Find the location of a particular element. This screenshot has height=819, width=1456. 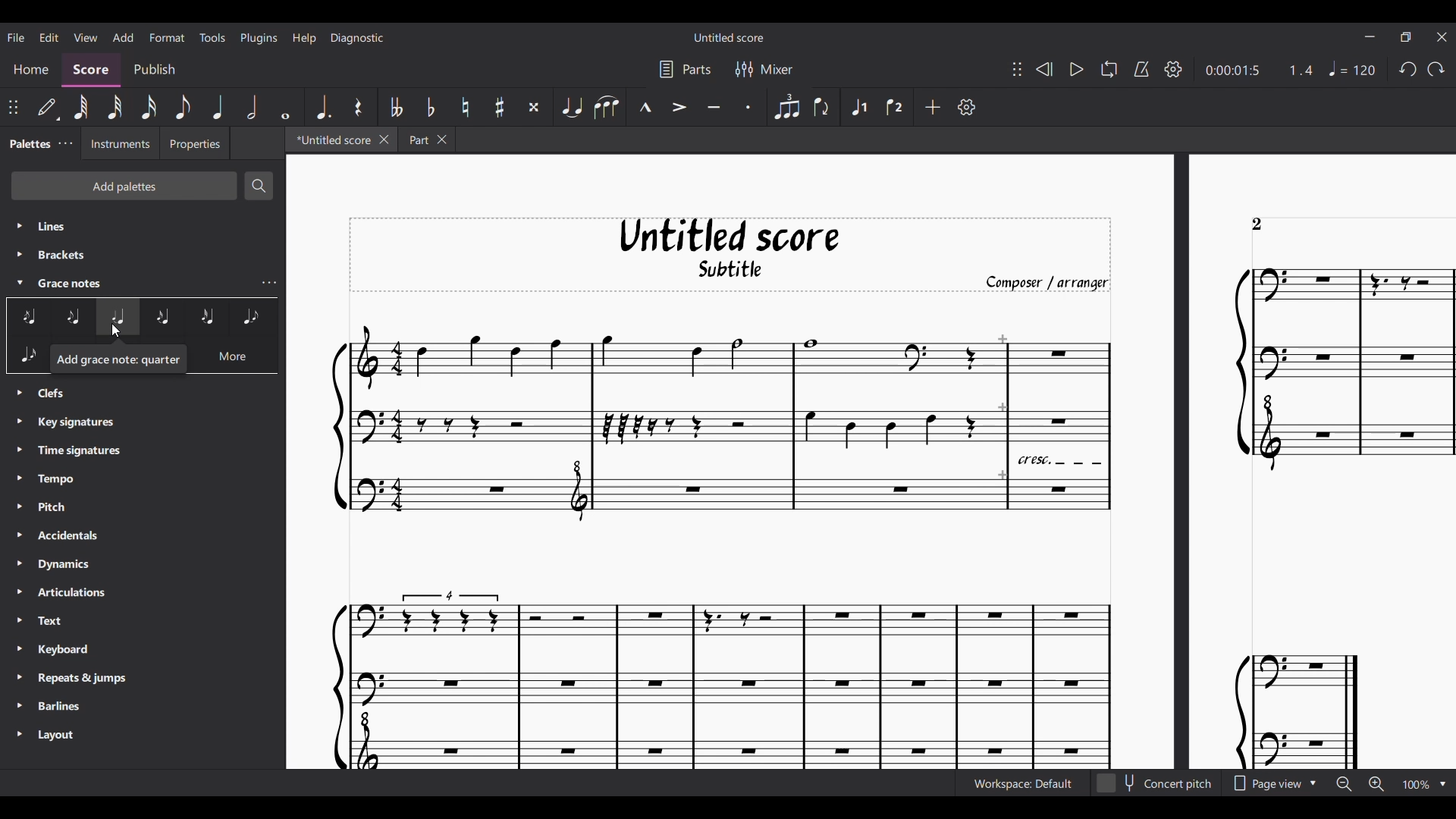

Search palette is located at coordinates (259, 186).